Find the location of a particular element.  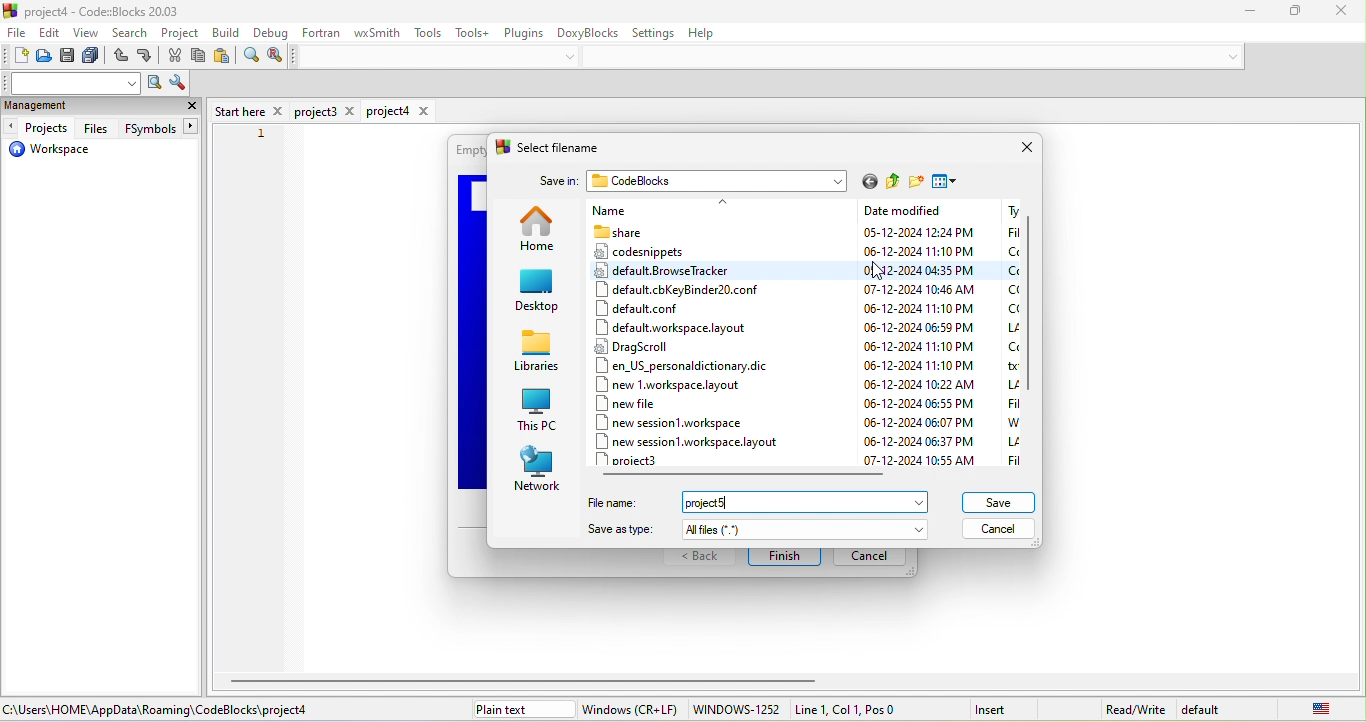

icon is located at coordinates (12, 10).